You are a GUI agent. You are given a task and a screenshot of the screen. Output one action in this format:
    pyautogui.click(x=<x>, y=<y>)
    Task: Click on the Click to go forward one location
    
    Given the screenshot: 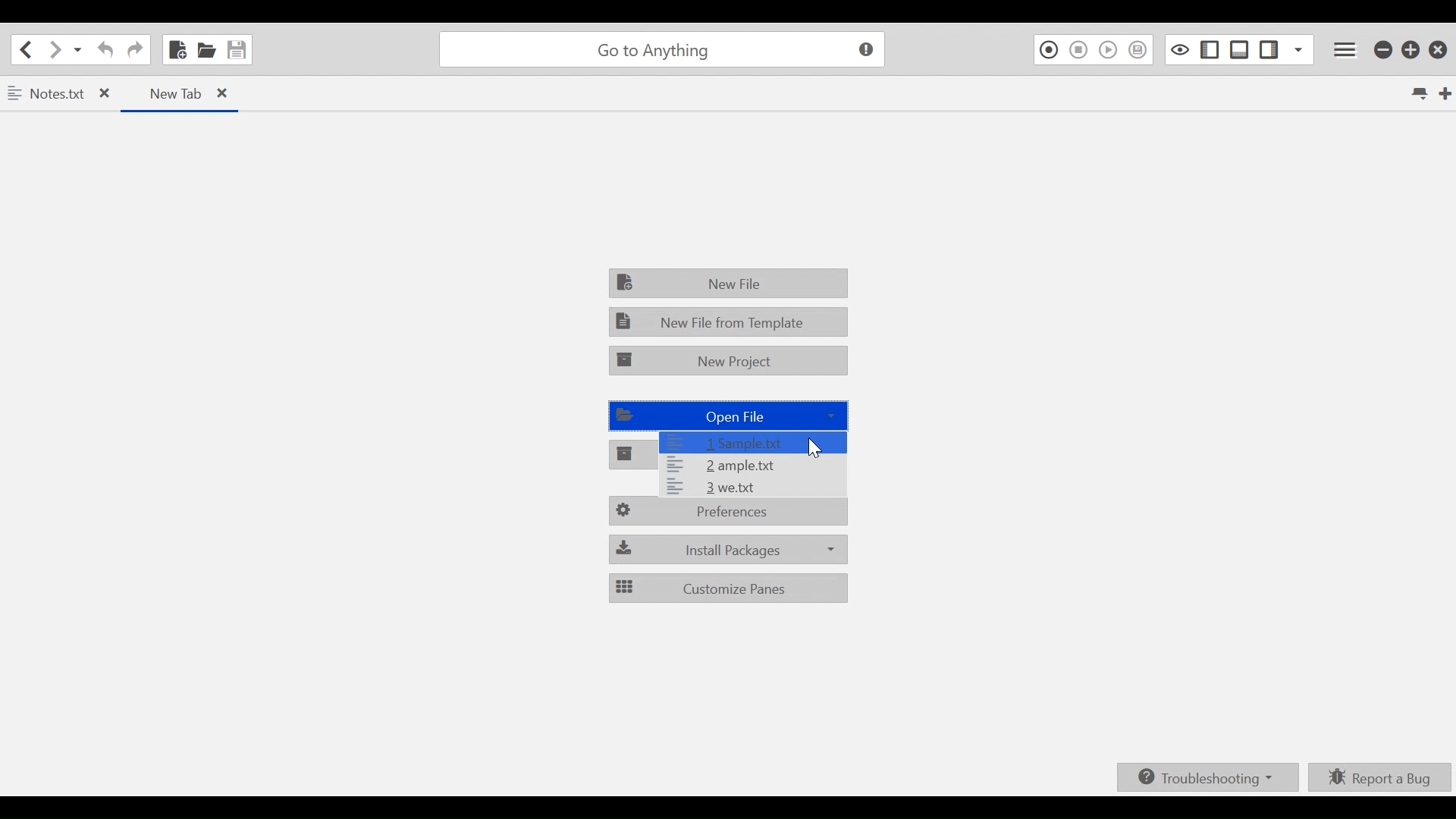 What is the action you would take?
    pyautogui.click(x=55, y=50)
    